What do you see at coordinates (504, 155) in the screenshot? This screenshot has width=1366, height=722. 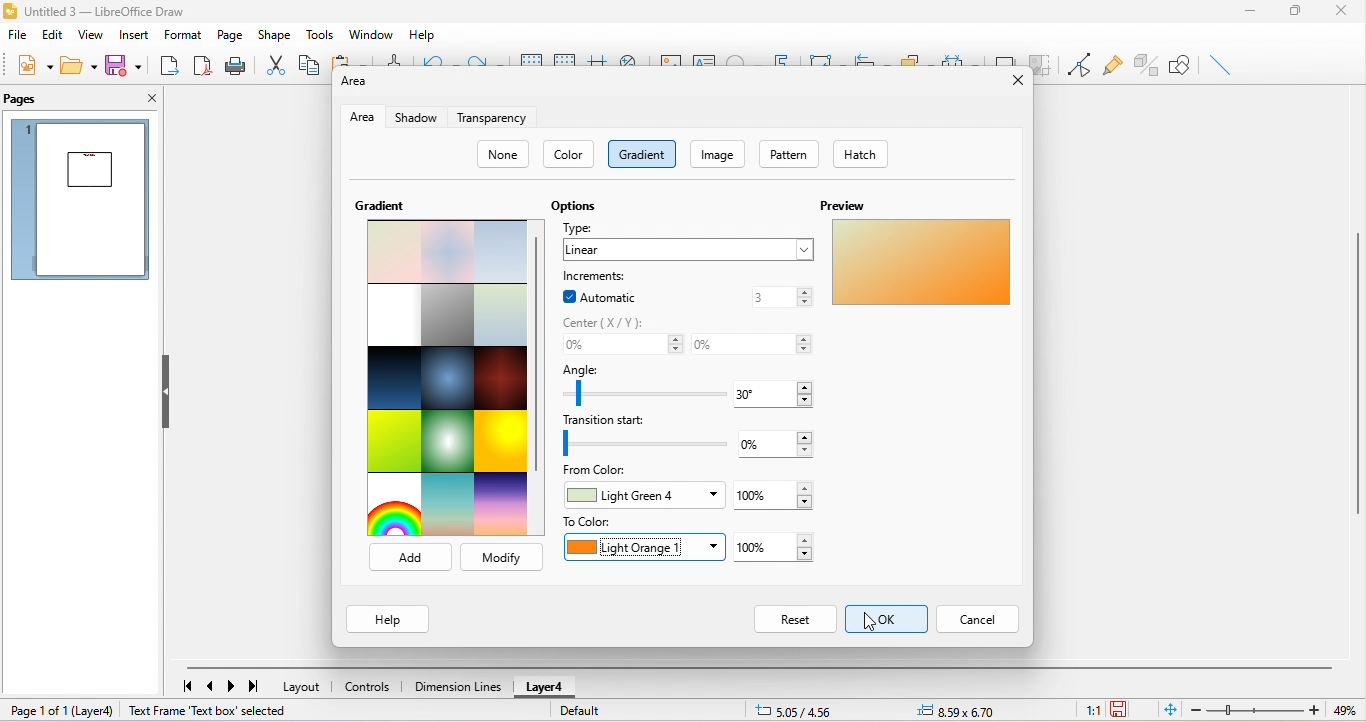 I see `none` at bounding box center [504, 155].